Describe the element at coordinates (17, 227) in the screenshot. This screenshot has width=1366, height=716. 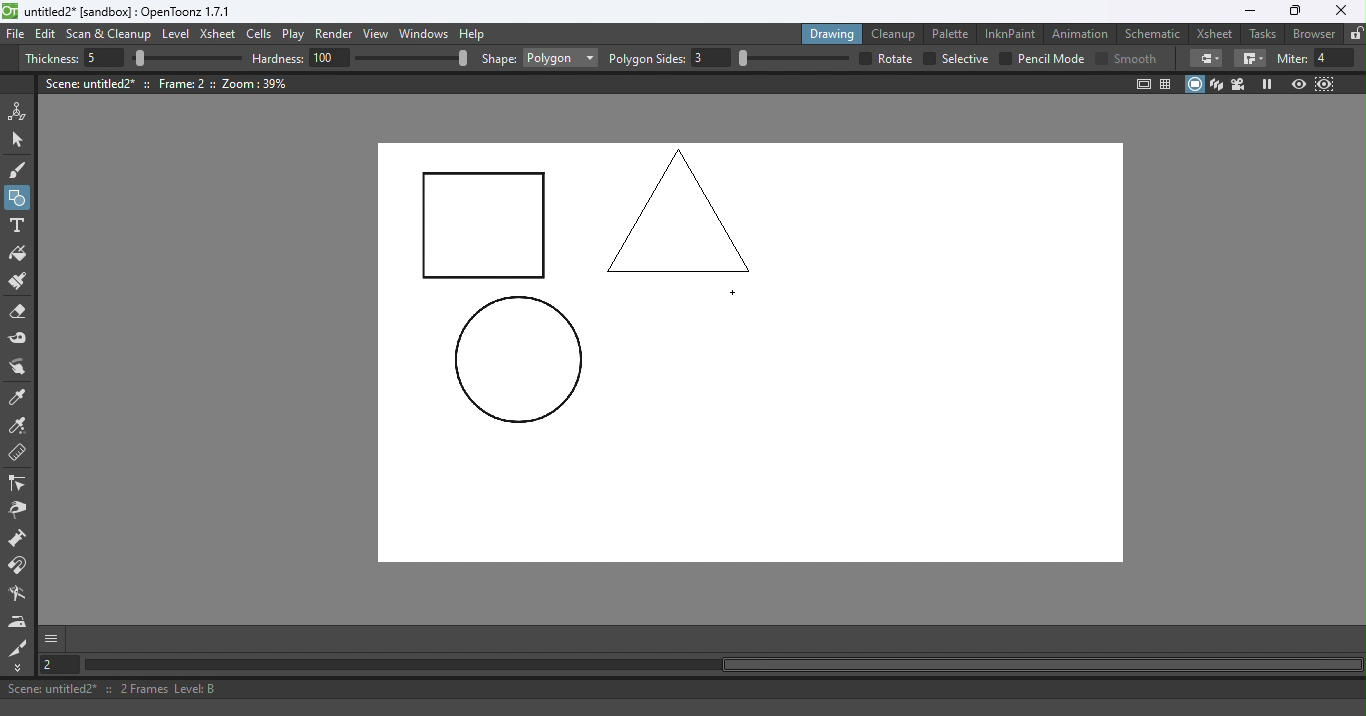
I see `Type tool` at that location.